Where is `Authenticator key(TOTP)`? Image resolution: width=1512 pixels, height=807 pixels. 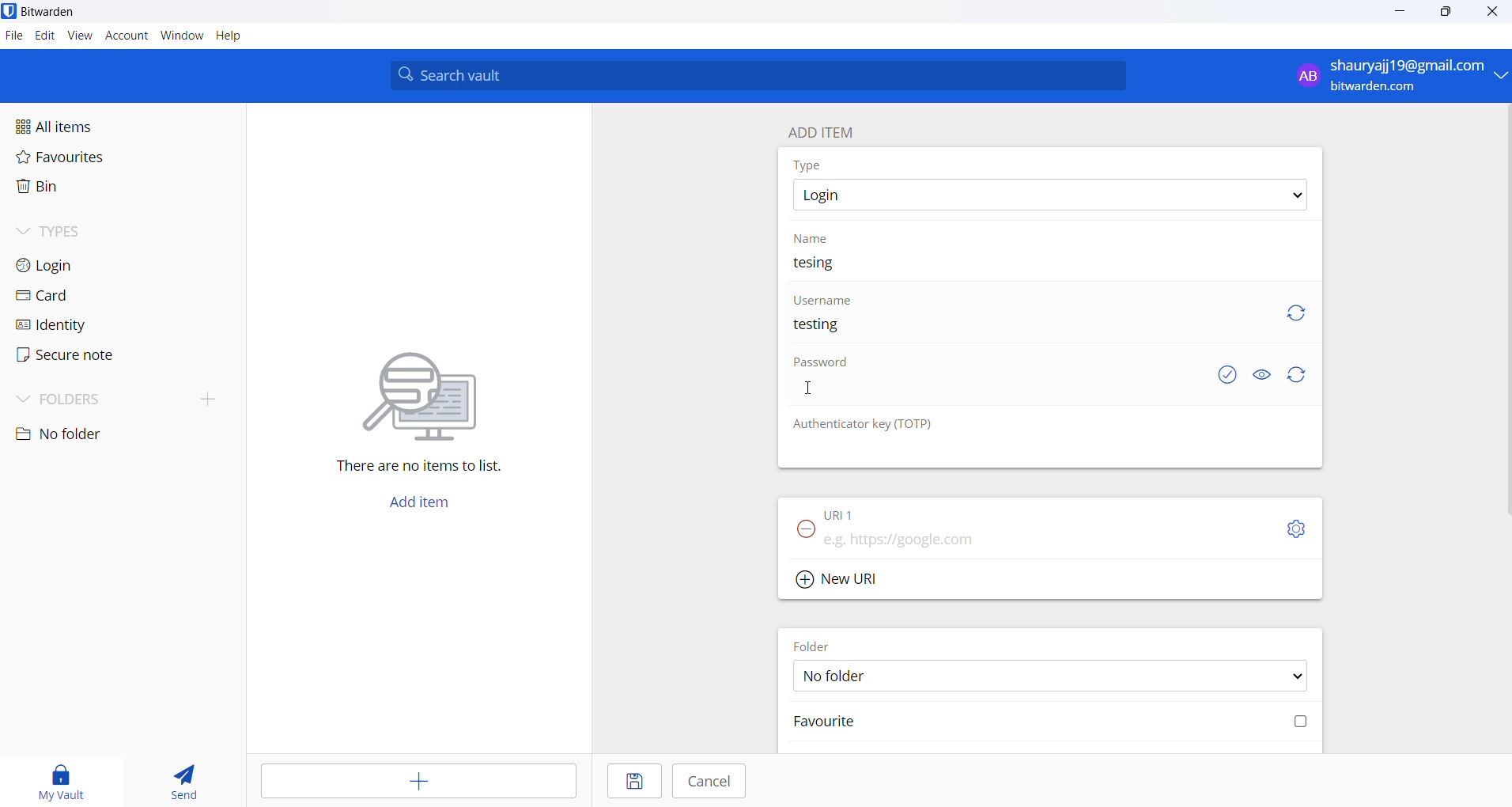 Authenticator key(TOTP) is located at coordinates (864, 425).